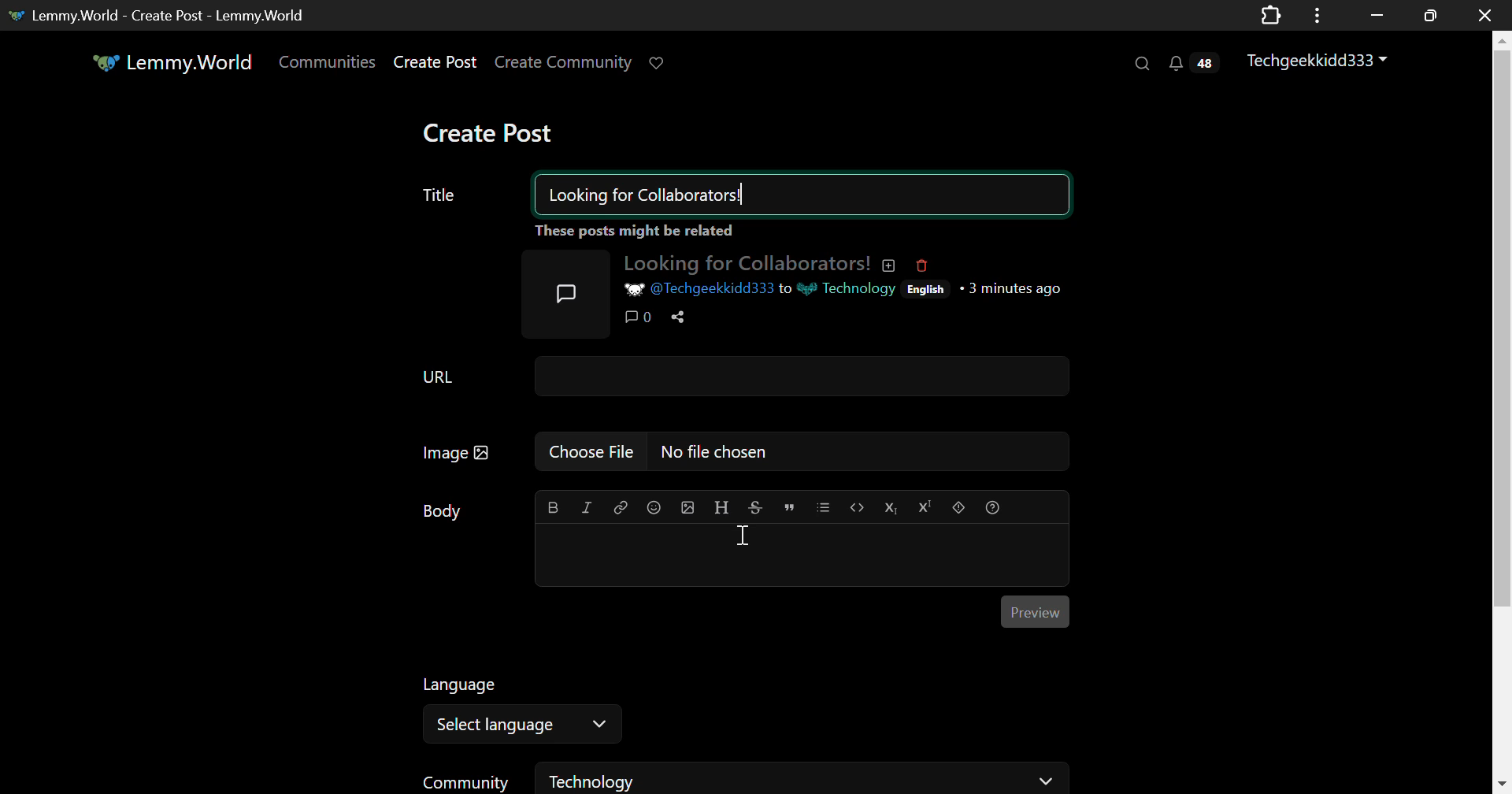  I want to click on Search, so click(1144, 65).